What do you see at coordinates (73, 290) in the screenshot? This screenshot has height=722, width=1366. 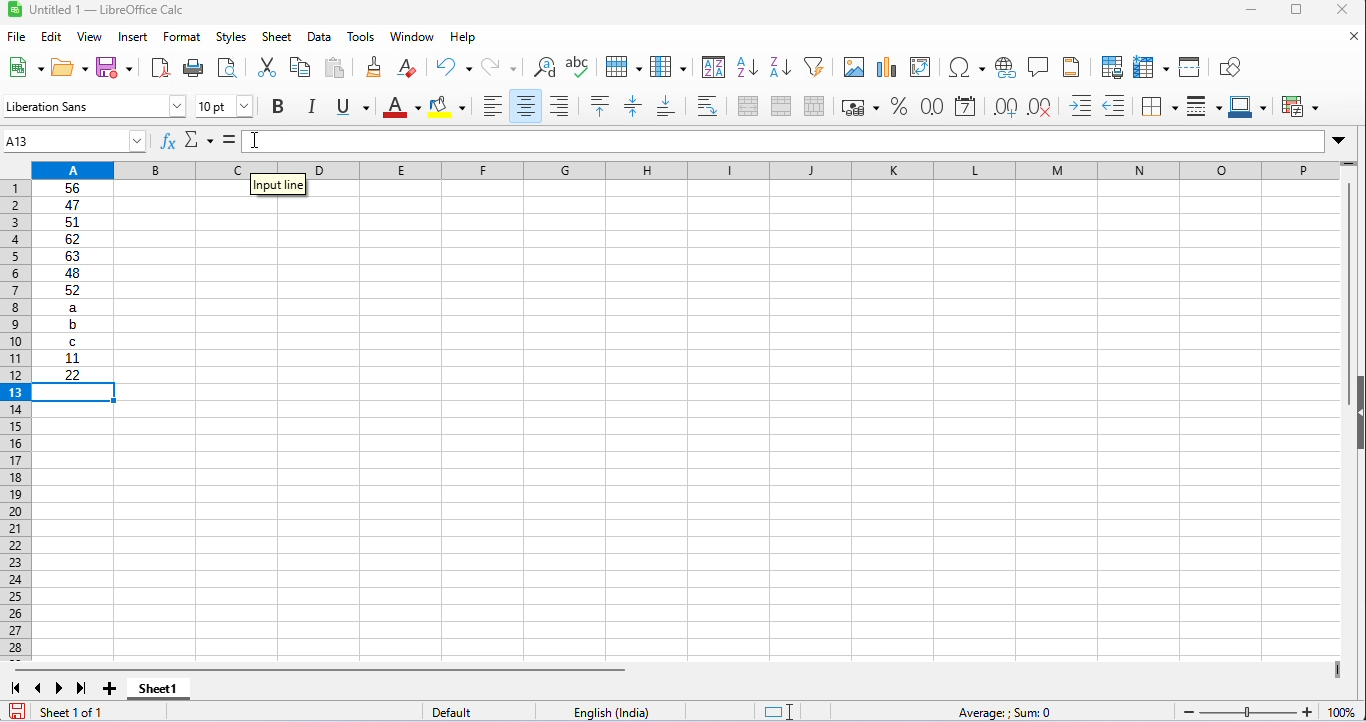 I see `52` at bounding box center [73, 290].